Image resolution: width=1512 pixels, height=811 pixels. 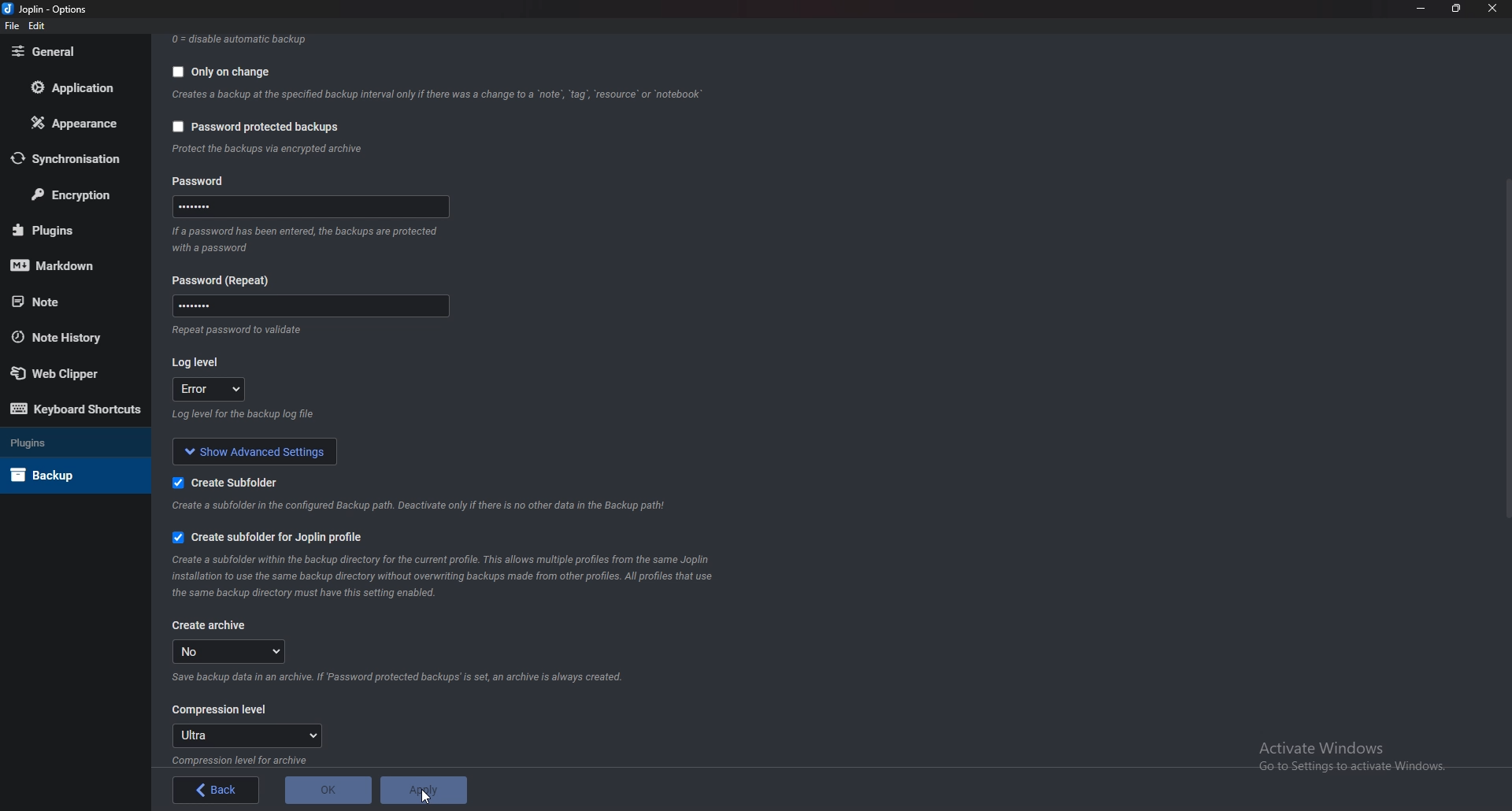 I want to click on edit, so click(x=39, y=26).